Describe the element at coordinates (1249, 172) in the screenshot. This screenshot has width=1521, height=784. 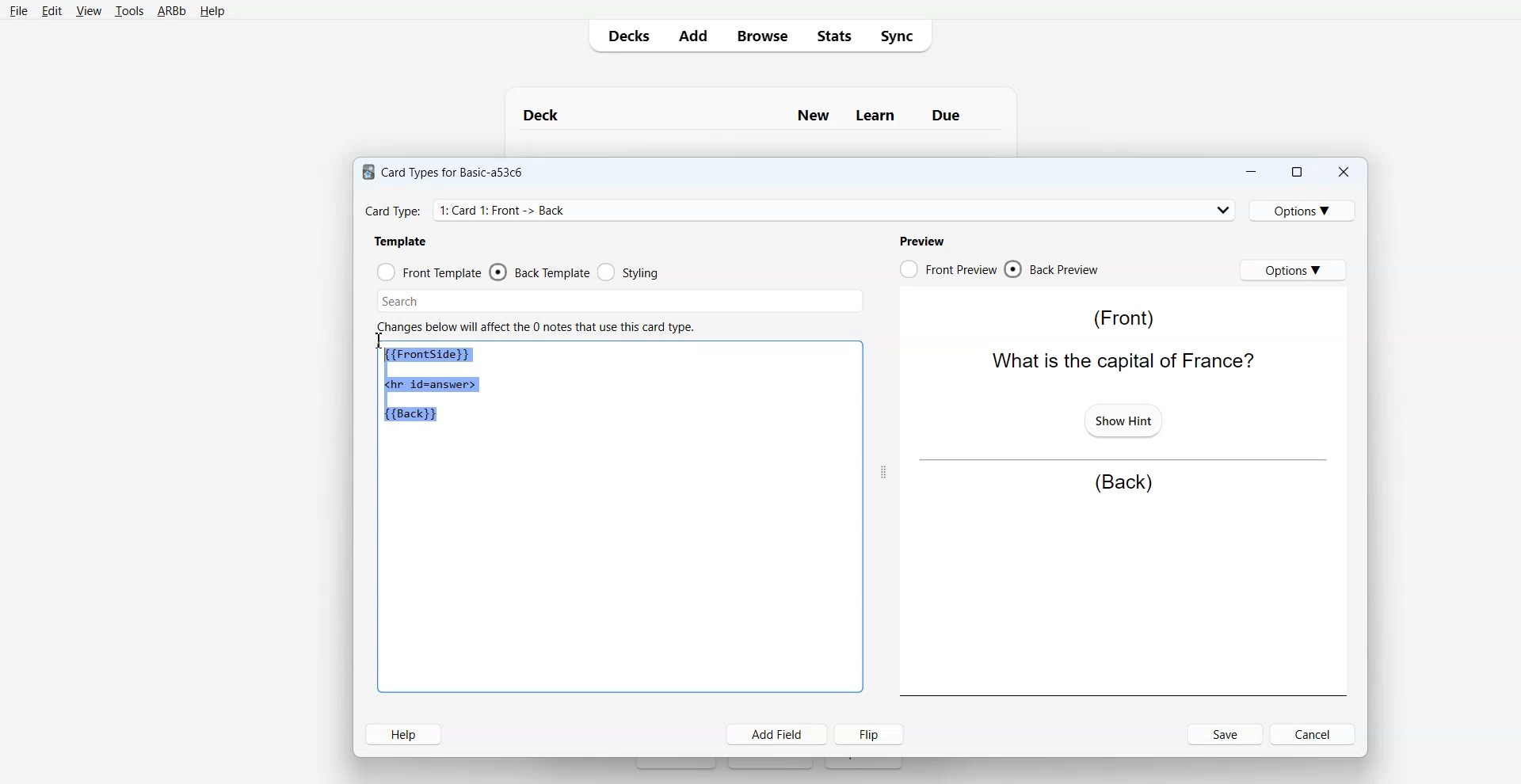
I see `Minimize` at that location.